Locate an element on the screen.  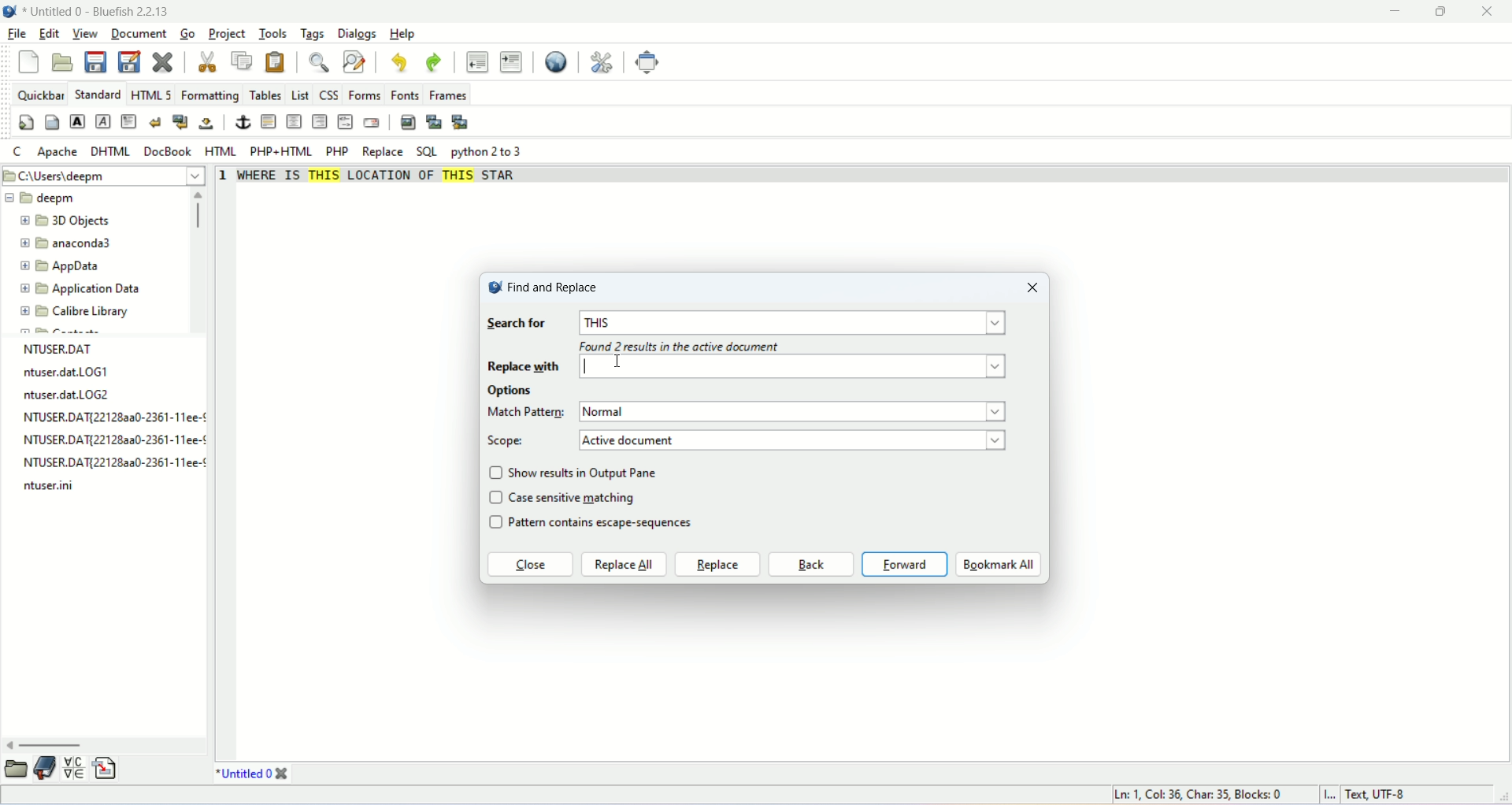
close is located at coordinates (1030, 287).